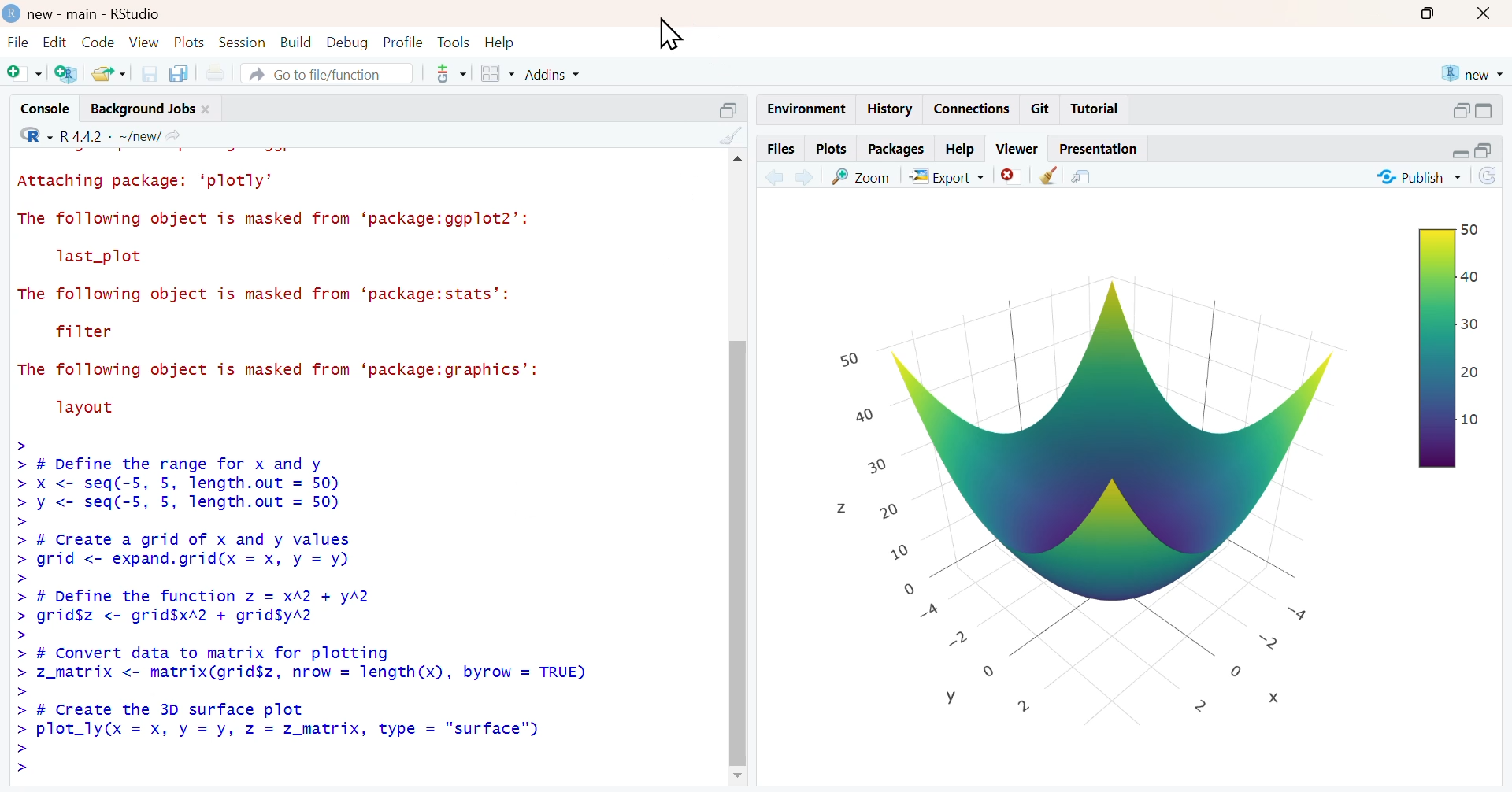 The height and width of the screenshot is (792, 1512). What do you see at coordinates (307, 730) in the screenshot?
I see `> plot_ly(x = x, y=y, z = z_matrix, type = "surface")` at bounding box center [307, 730].